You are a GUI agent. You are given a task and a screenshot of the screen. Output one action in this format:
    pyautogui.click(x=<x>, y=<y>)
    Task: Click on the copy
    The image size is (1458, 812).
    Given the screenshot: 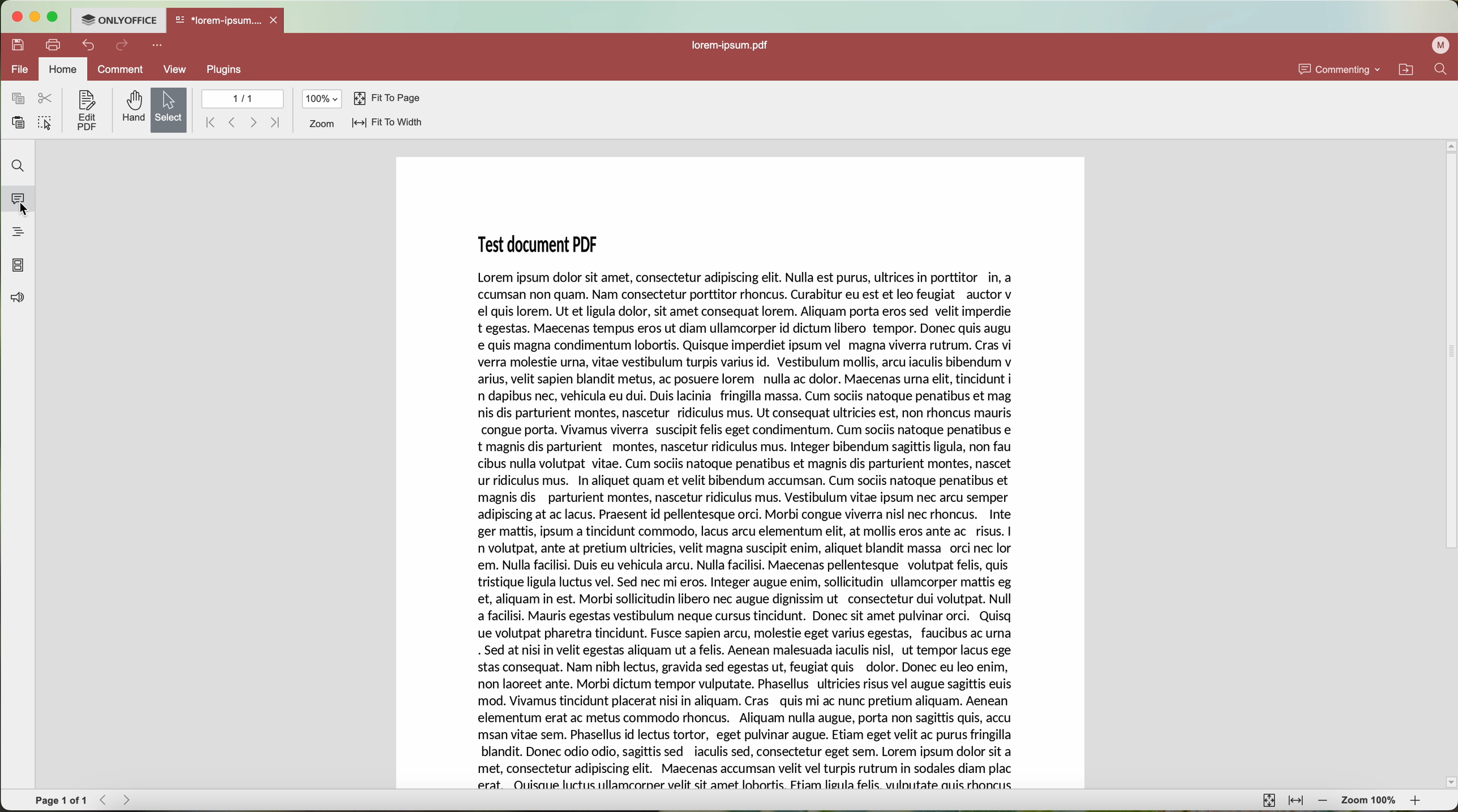 What is the action you would take?
    pyautogui.click(x=18, y=98)
    